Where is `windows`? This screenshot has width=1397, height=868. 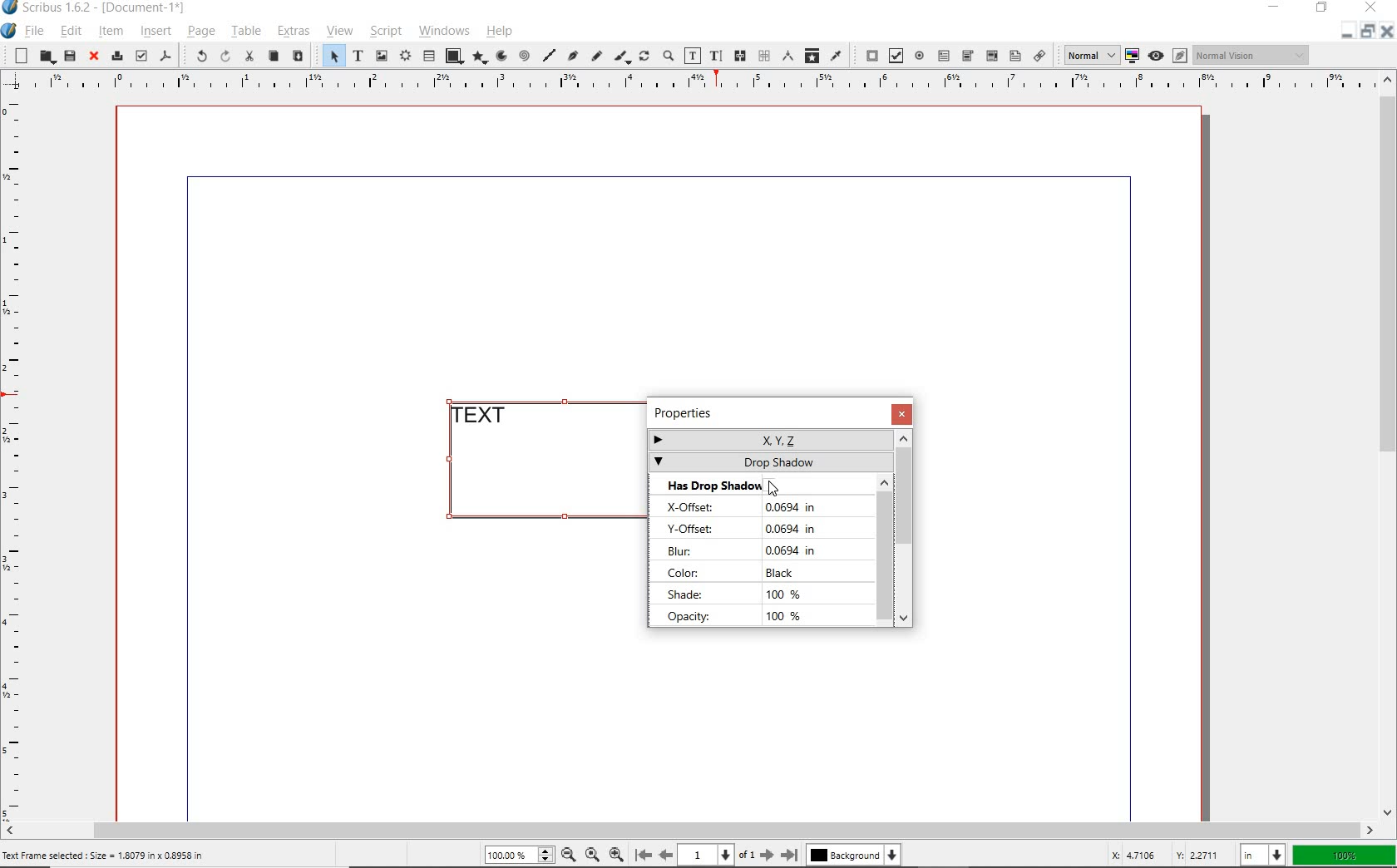 windows is located at coordinates (446, 32).